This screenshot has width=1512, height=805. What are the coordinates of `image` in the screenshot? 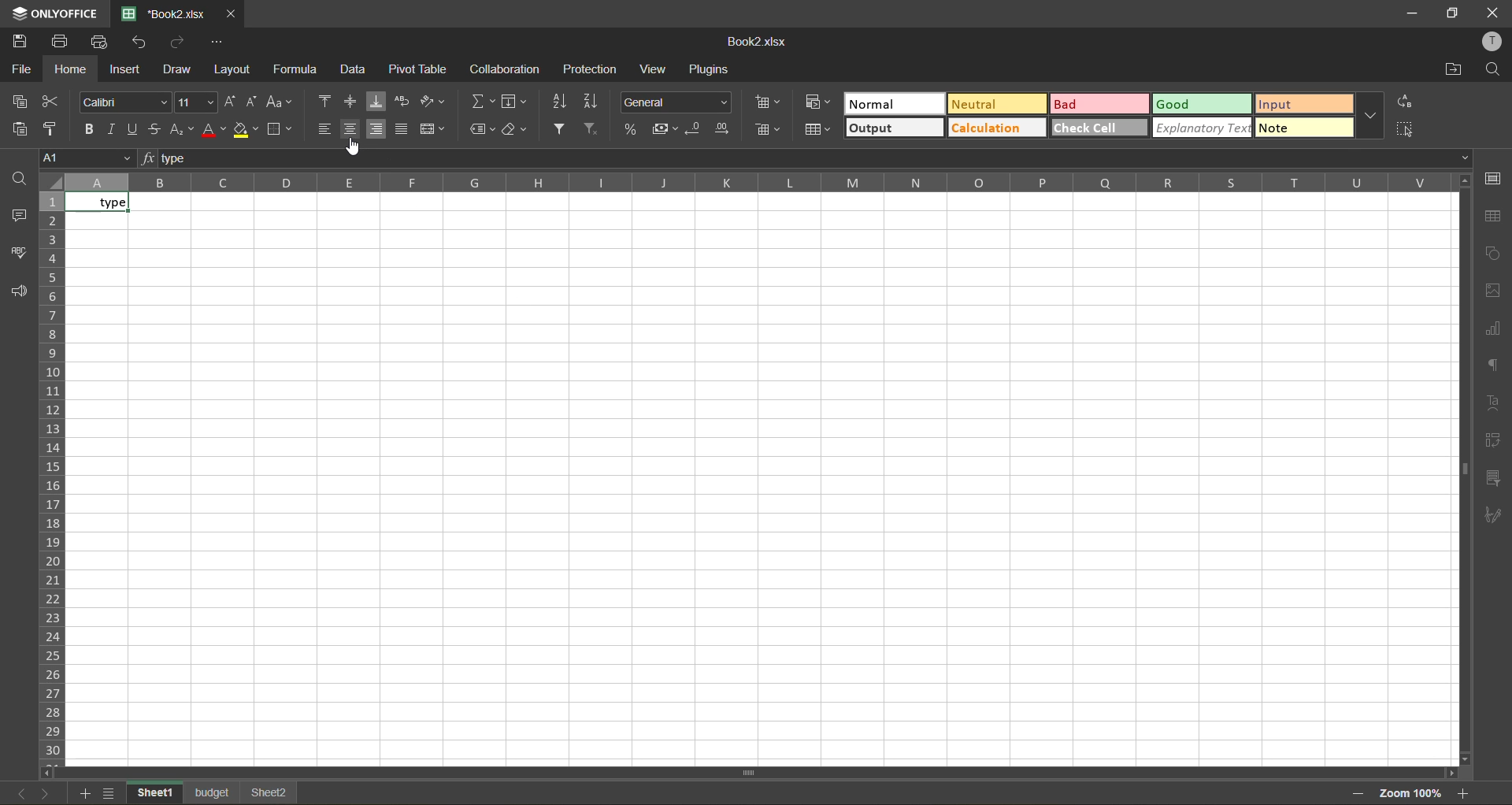 It's located at (1493, 291).